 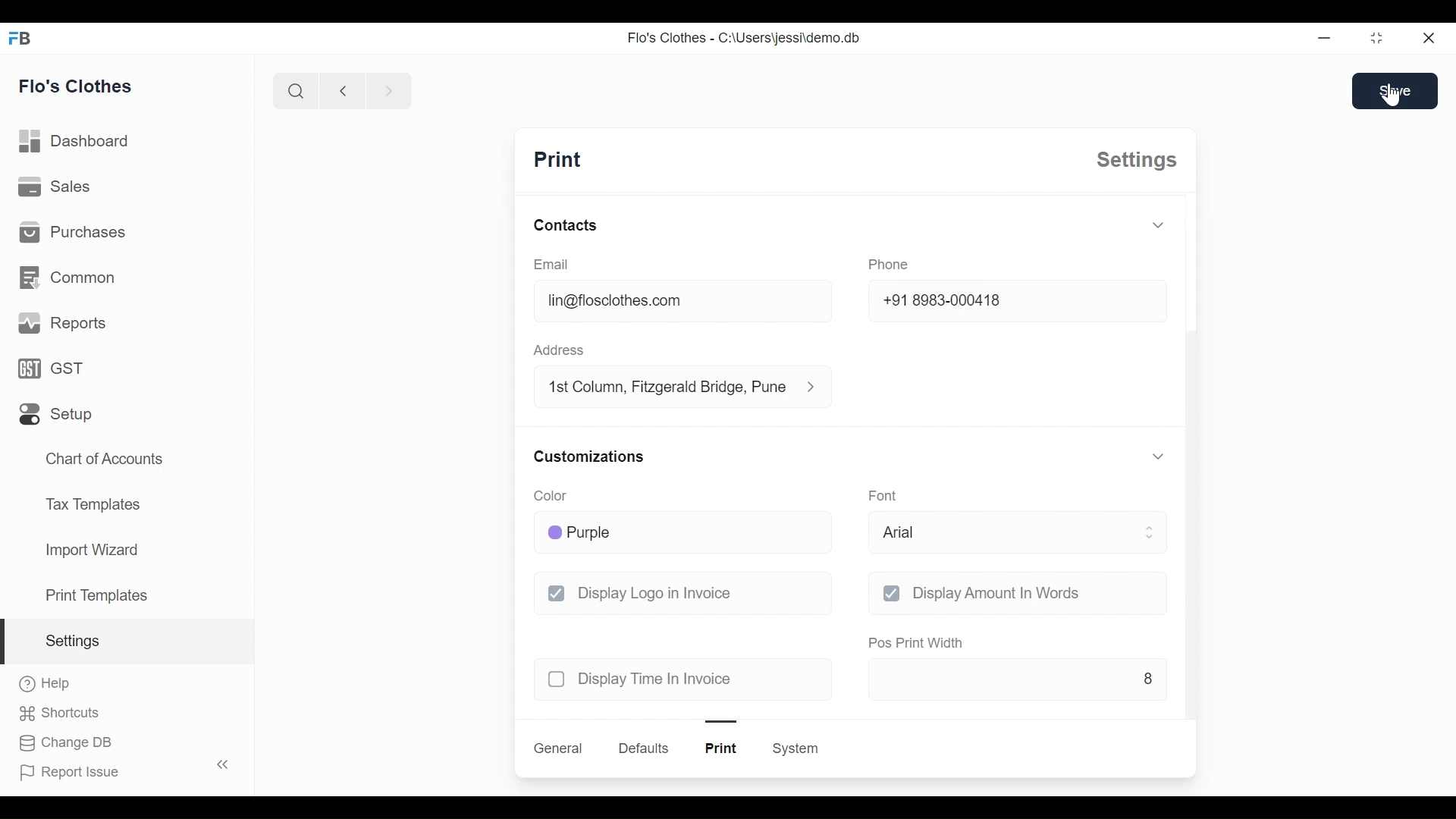 I want to click on phone, so click(x=889, y=265).